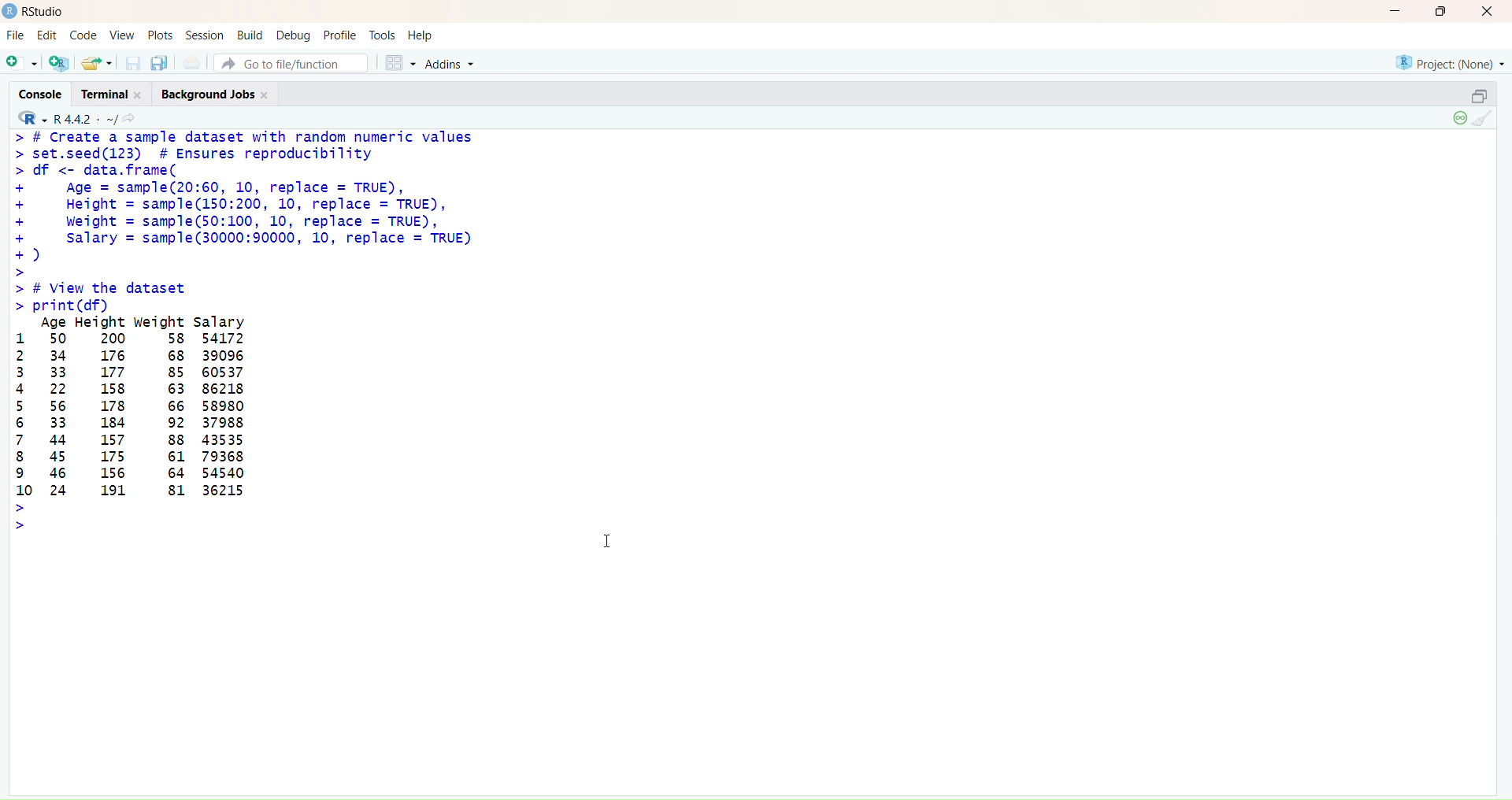 This screenshot has height=800, width=1512. Describe the element at coordinates (135, 118) in the screenshot. I see `Show in new window` at that location.